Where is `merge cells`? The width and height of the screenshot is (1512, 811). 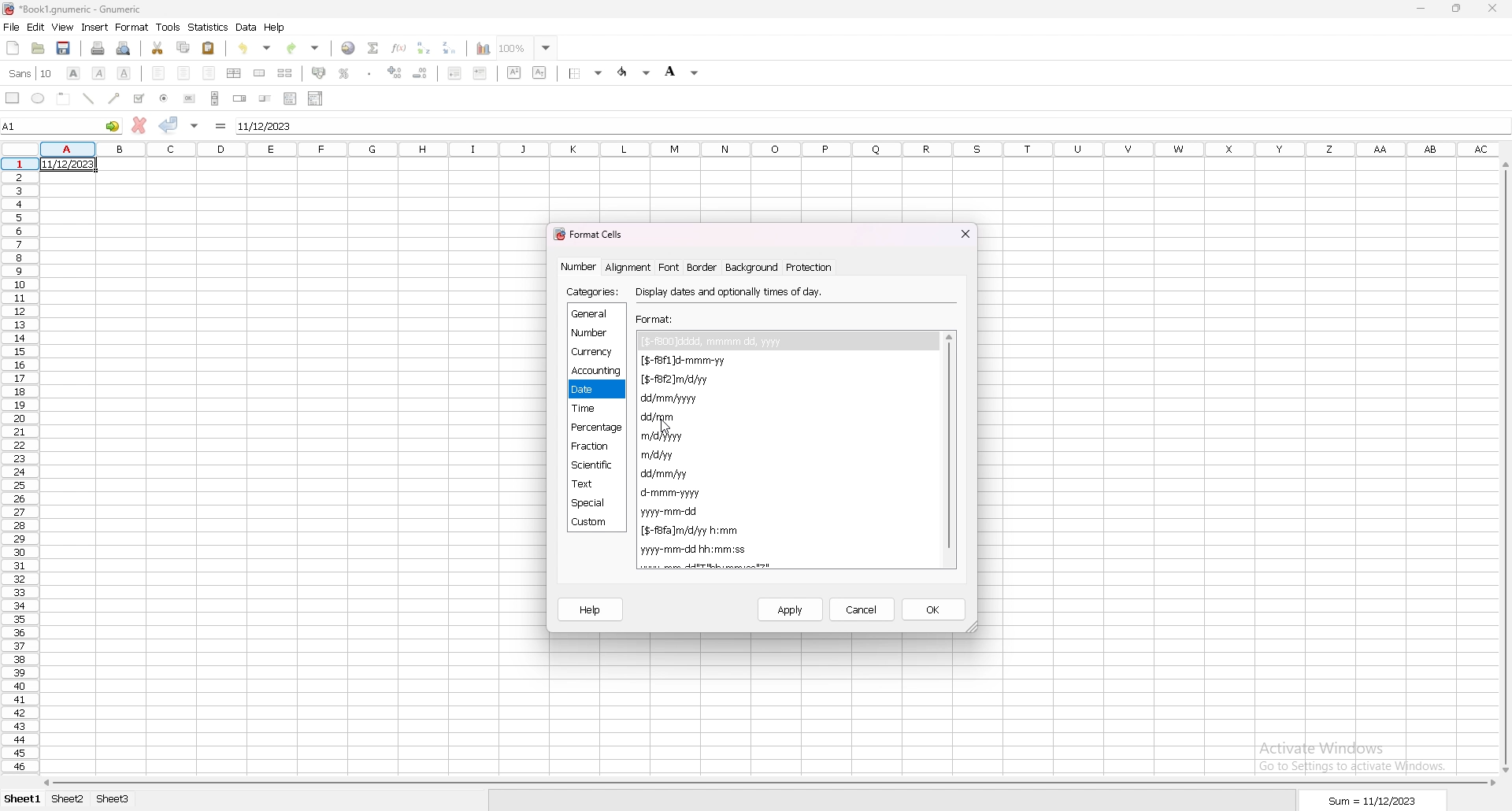
merge cells is located at coordinates (259, 74).